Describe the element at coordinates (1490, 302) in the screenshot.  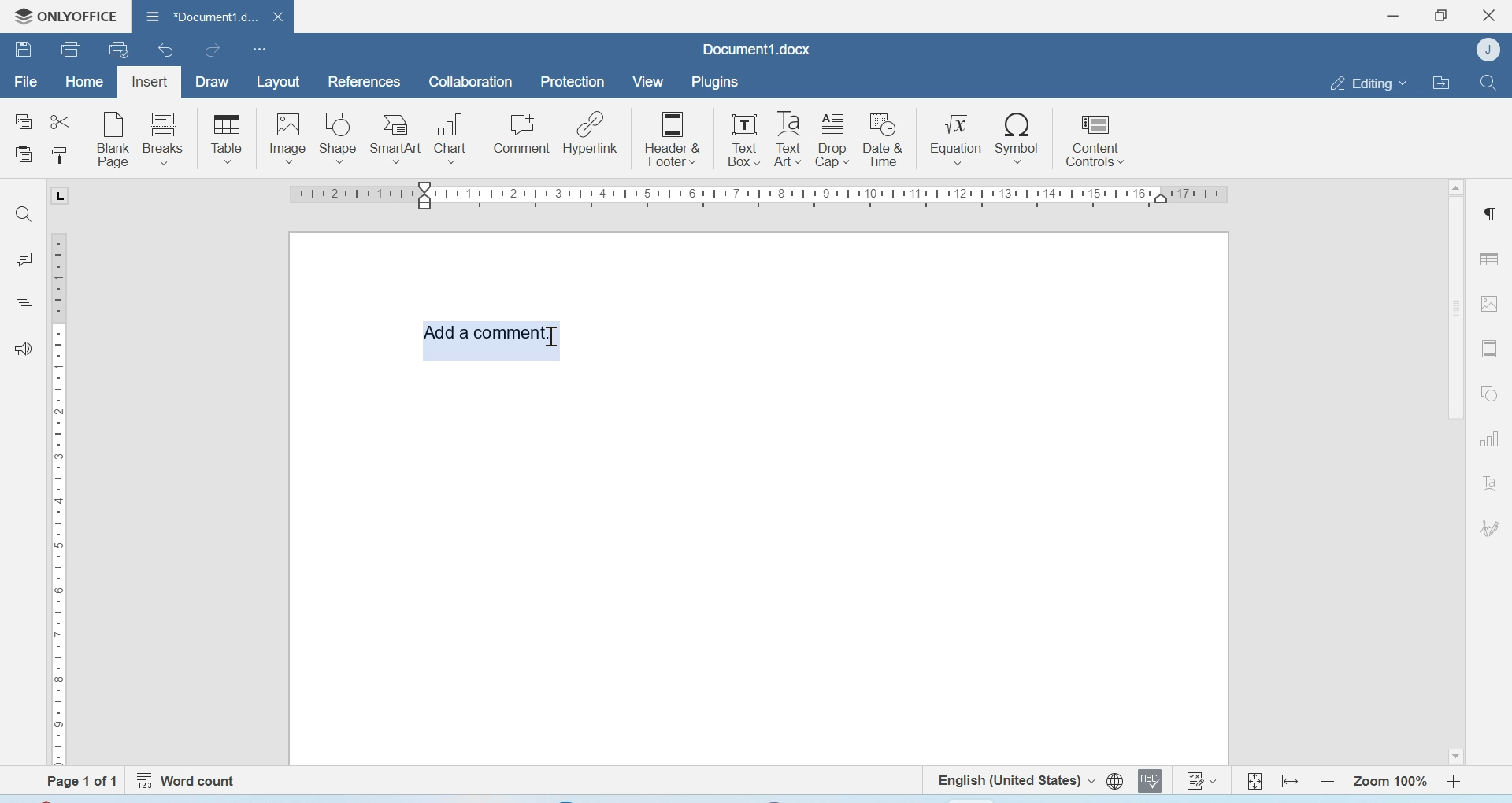
I see `Image` at that location.